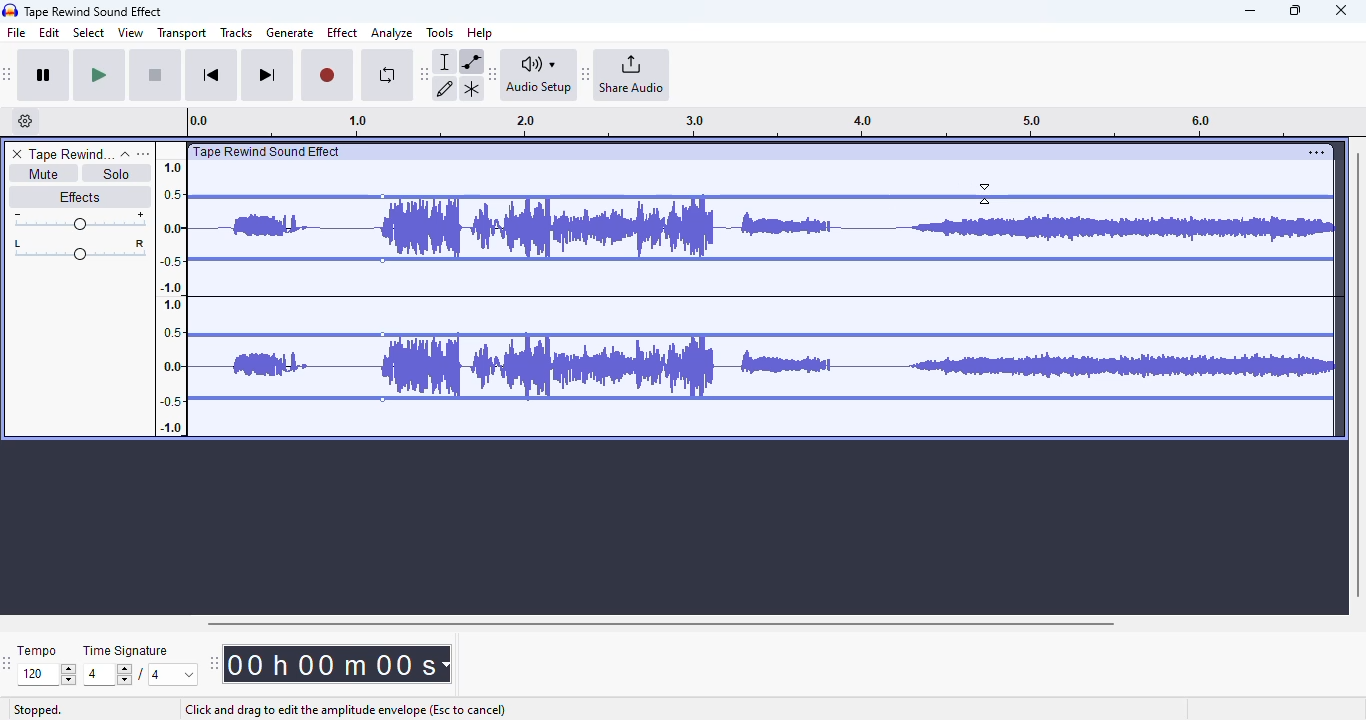 The height and width of the screenshot is (720, 1366). What do you see at coordinates (266, 76) in the screenshot?
I see `skip to end` at bounding box center [266, 76].